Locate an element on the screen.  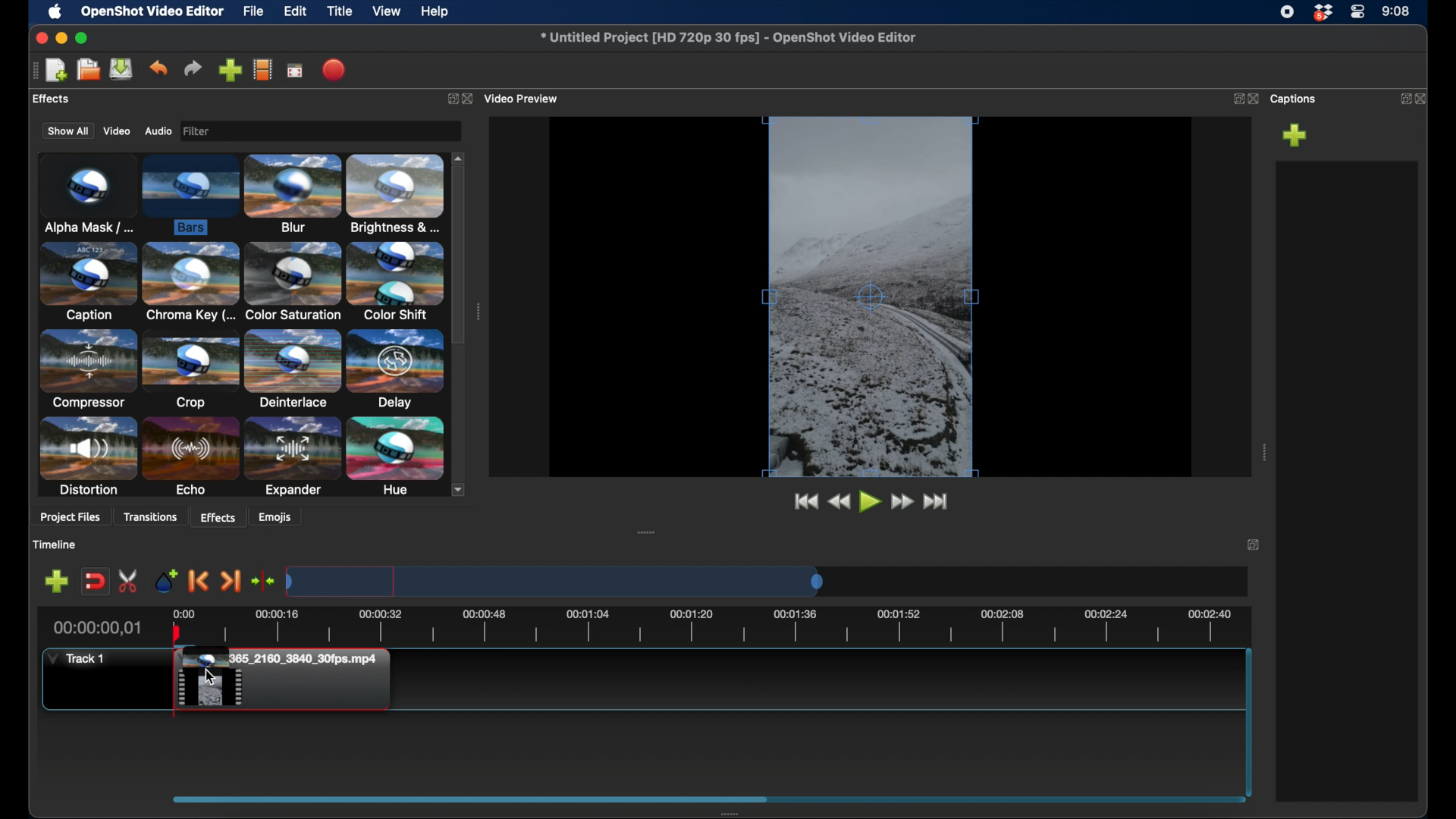
color shift is located at coordinates (397, 281).